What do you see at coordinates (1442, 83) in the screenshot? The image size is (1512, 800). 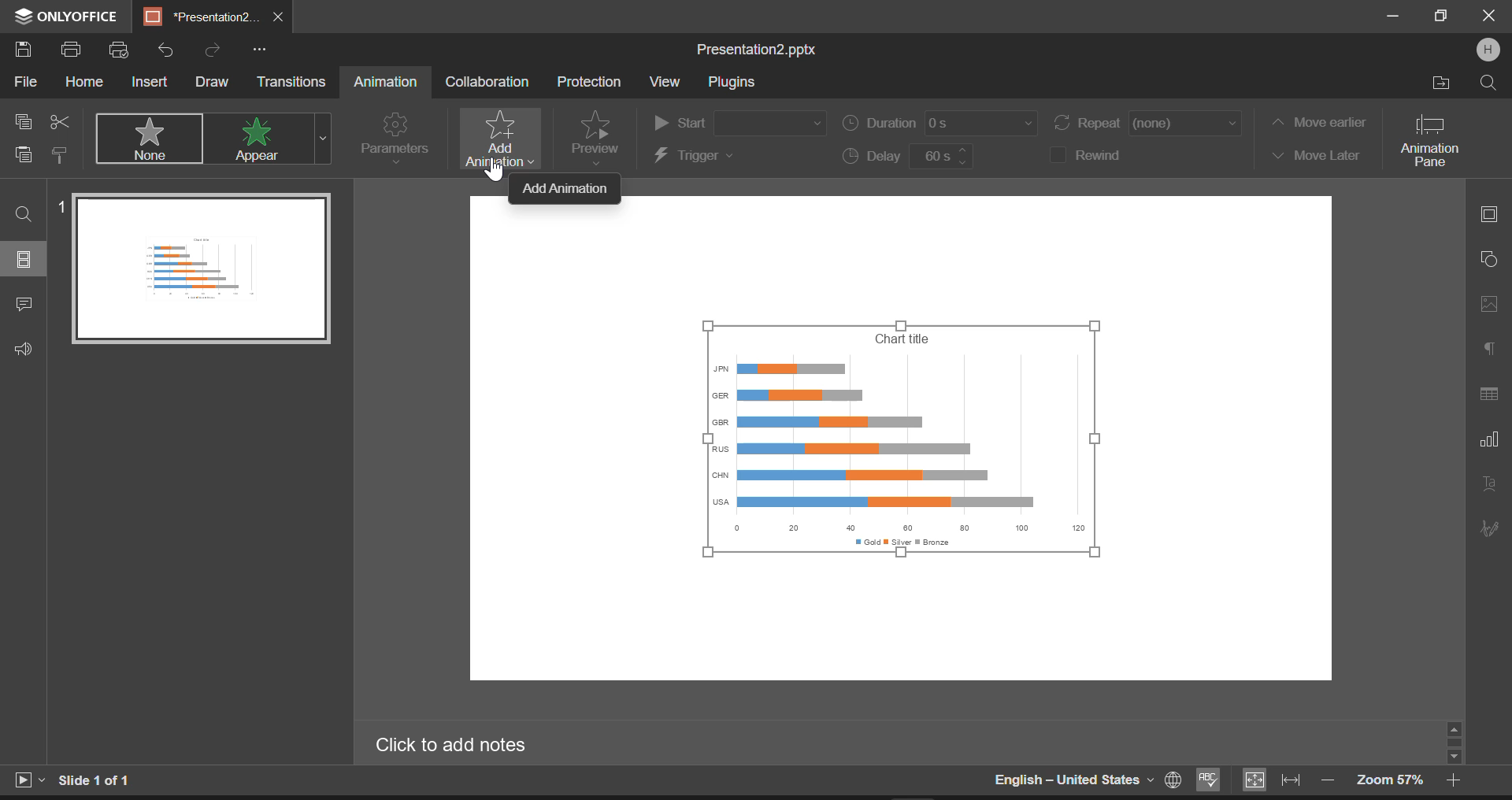 I see `Open file Location` at bounding box center [1442, 83].